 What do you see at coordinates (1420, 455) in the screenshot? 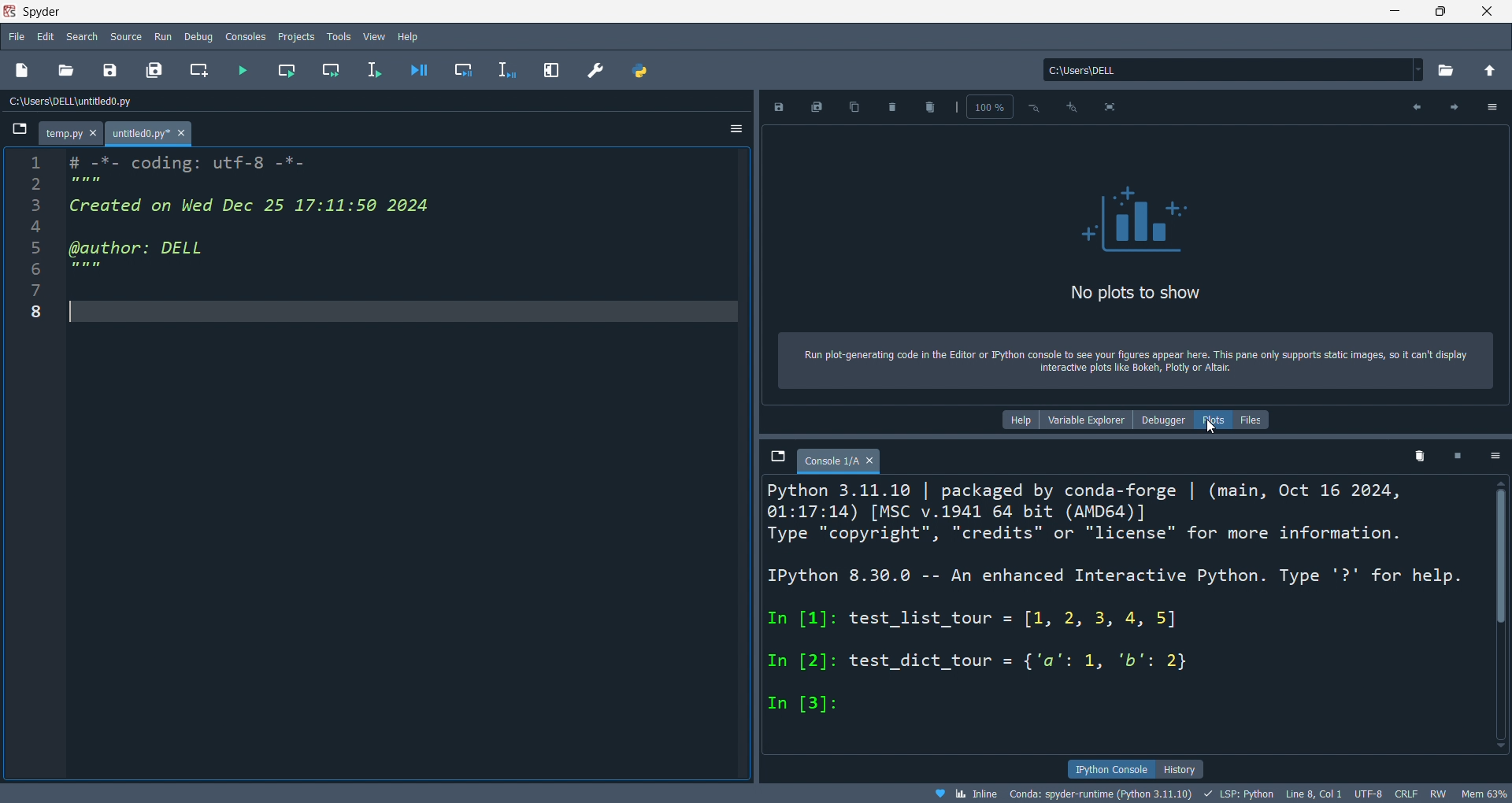
I see `delete ` at bounding box center [1420, 455].